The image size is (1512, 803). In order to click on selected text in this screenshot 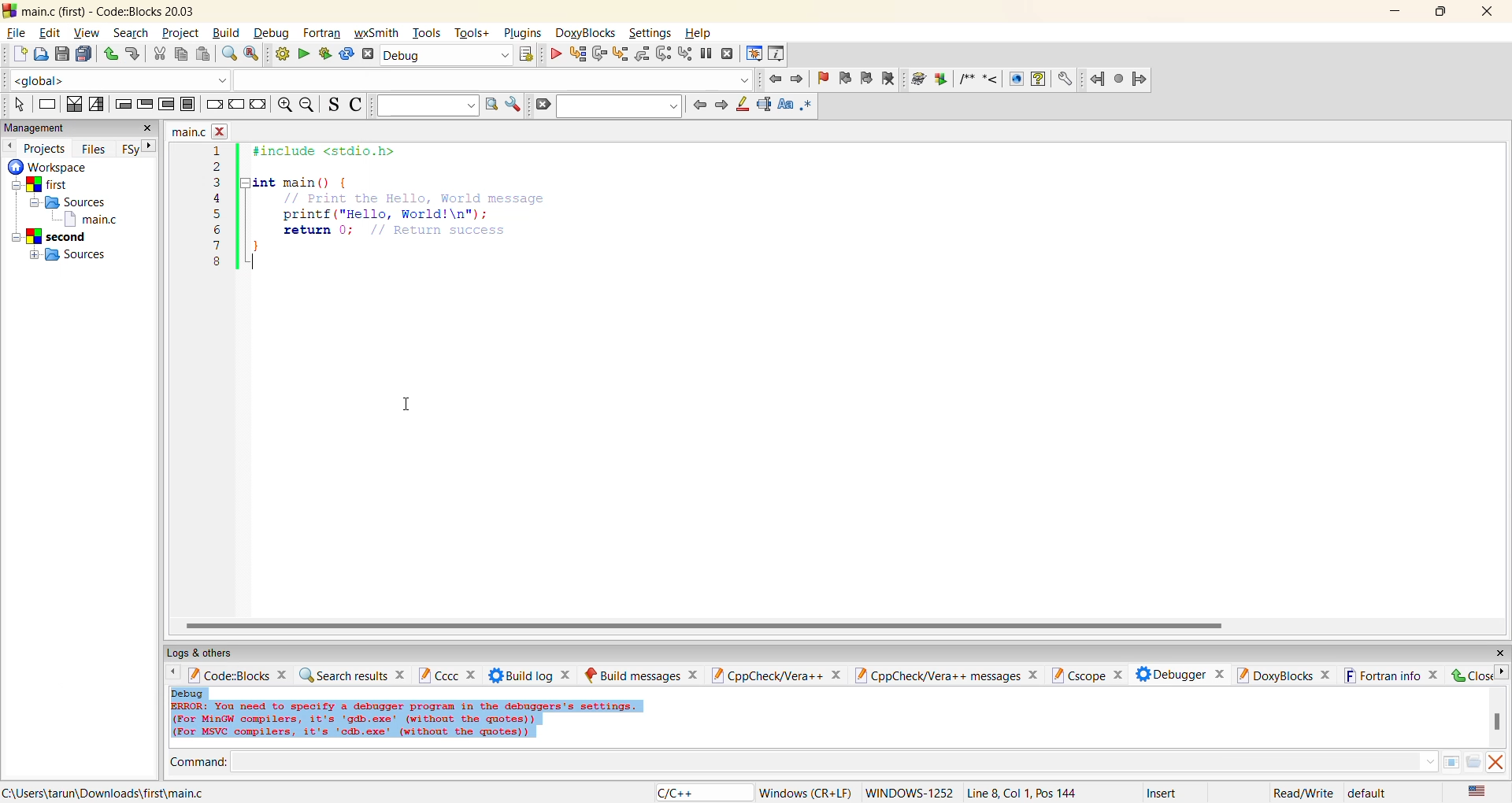, I will do `click(764, 106)`.